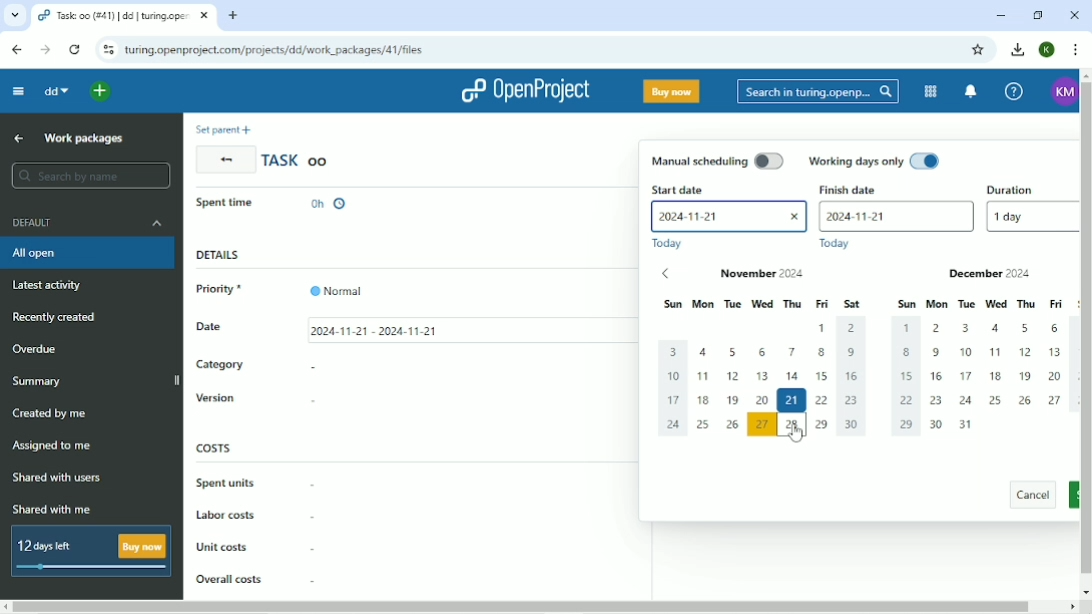  What do you see at coordinates (214, 447) in the screenshot?
I see `Costs` at bounding box center [214, 447].